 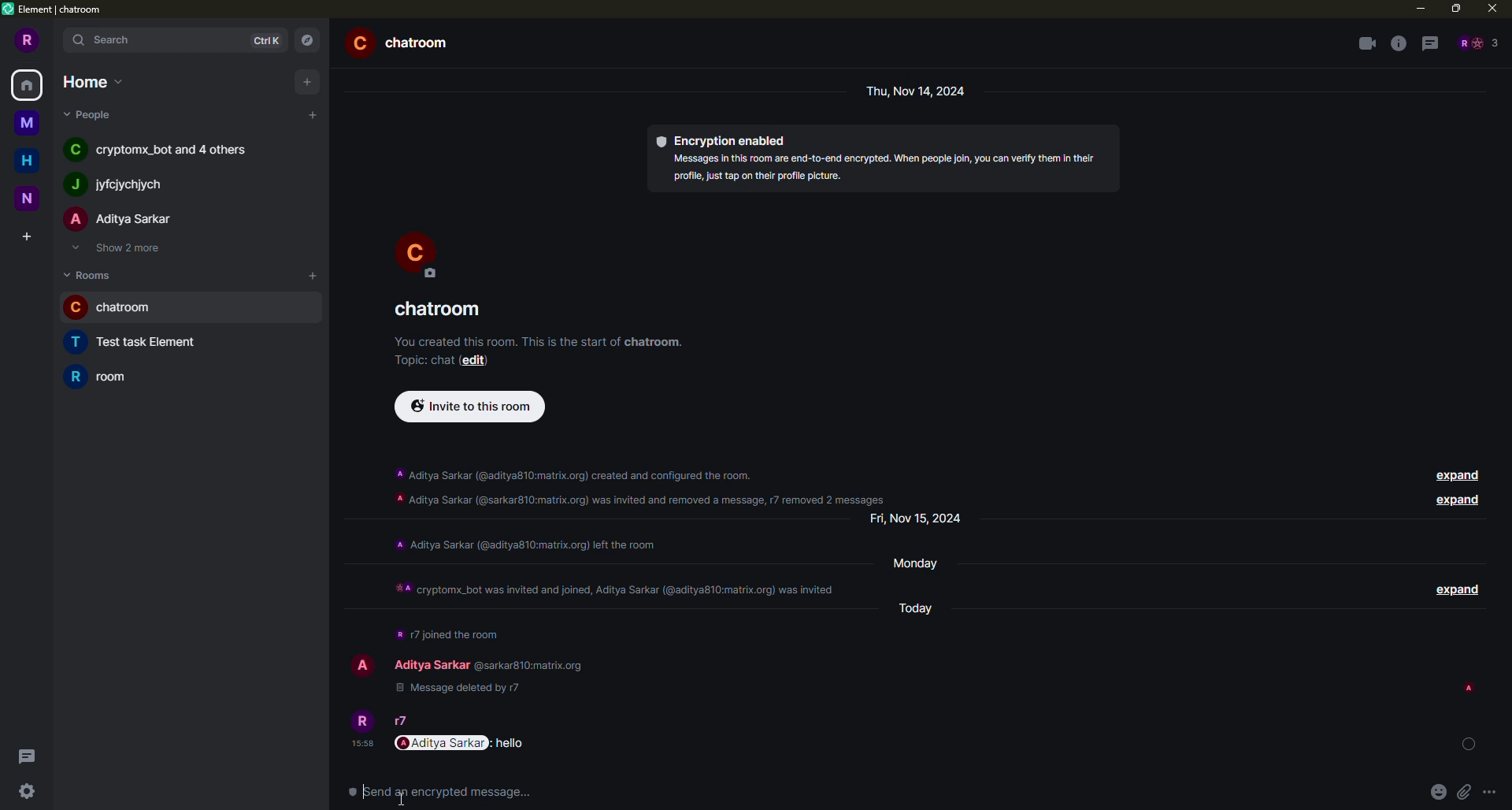 I want to click on expand, so click(x=1456, y=589).